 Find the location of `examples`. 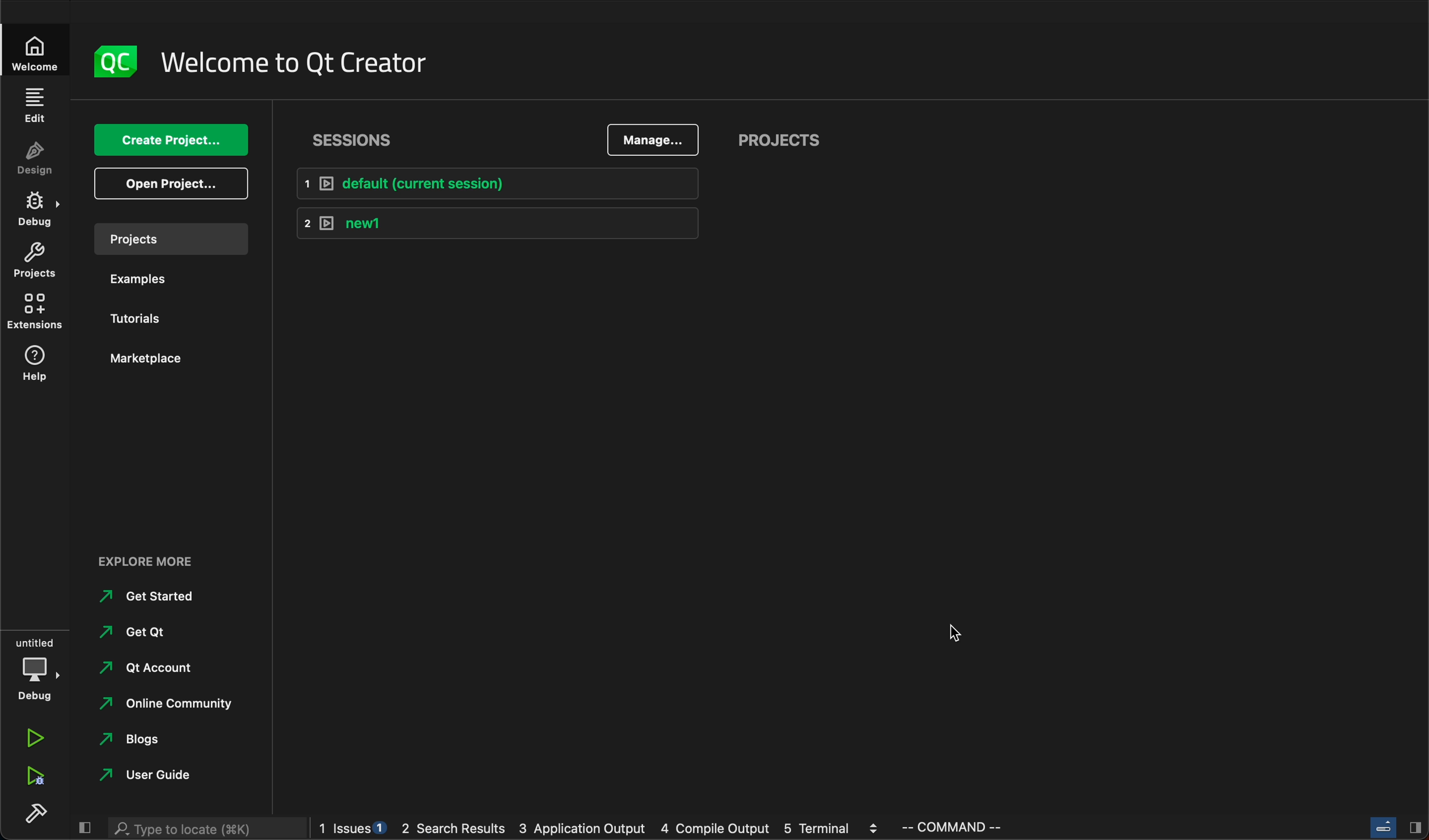

examples is located at coordinates (157, 285).